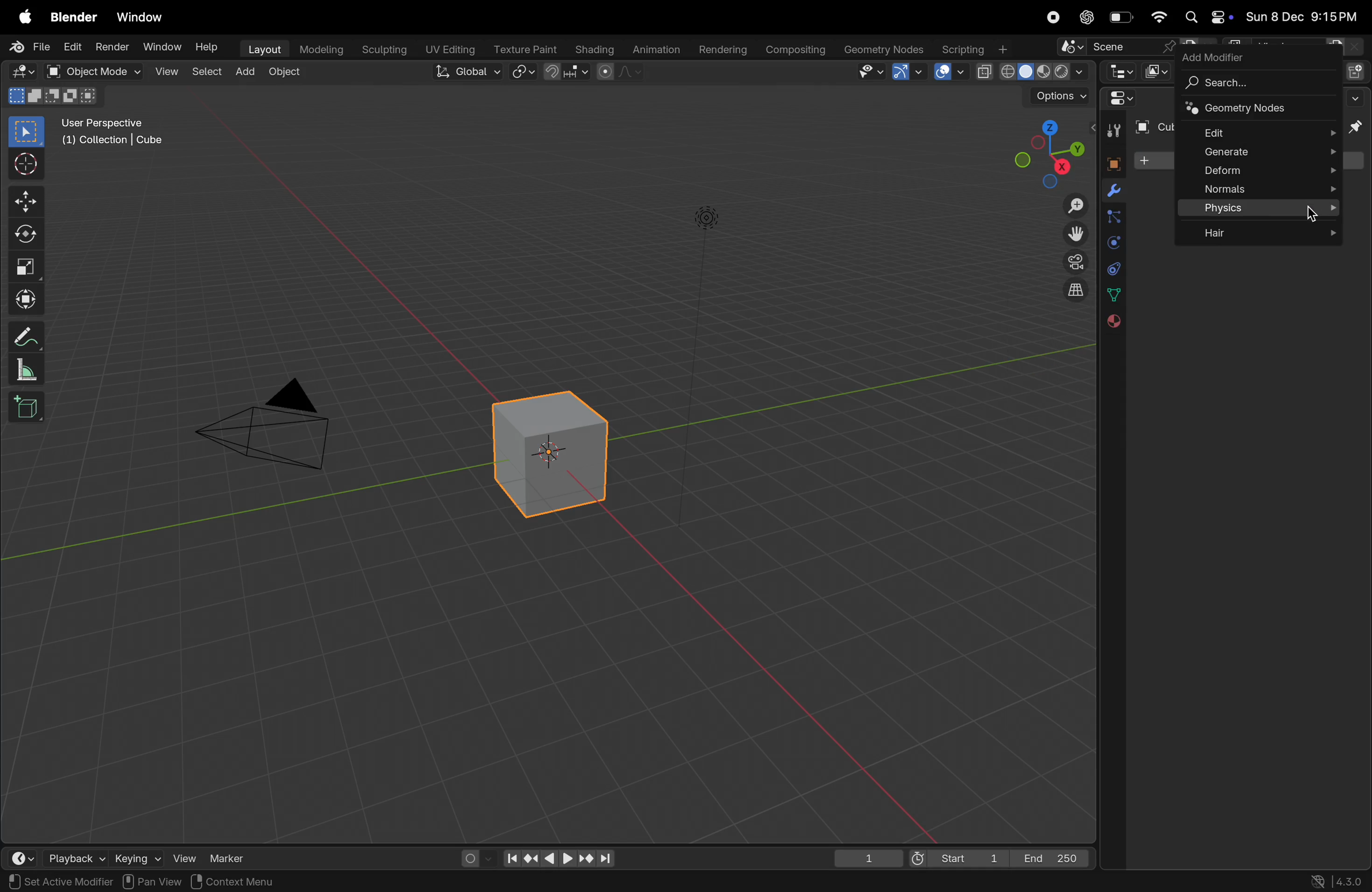 This screenshot has height=892, width=1372. Describe the element at coordinates (469, 73) in the screenshot. I see `global` at that location.